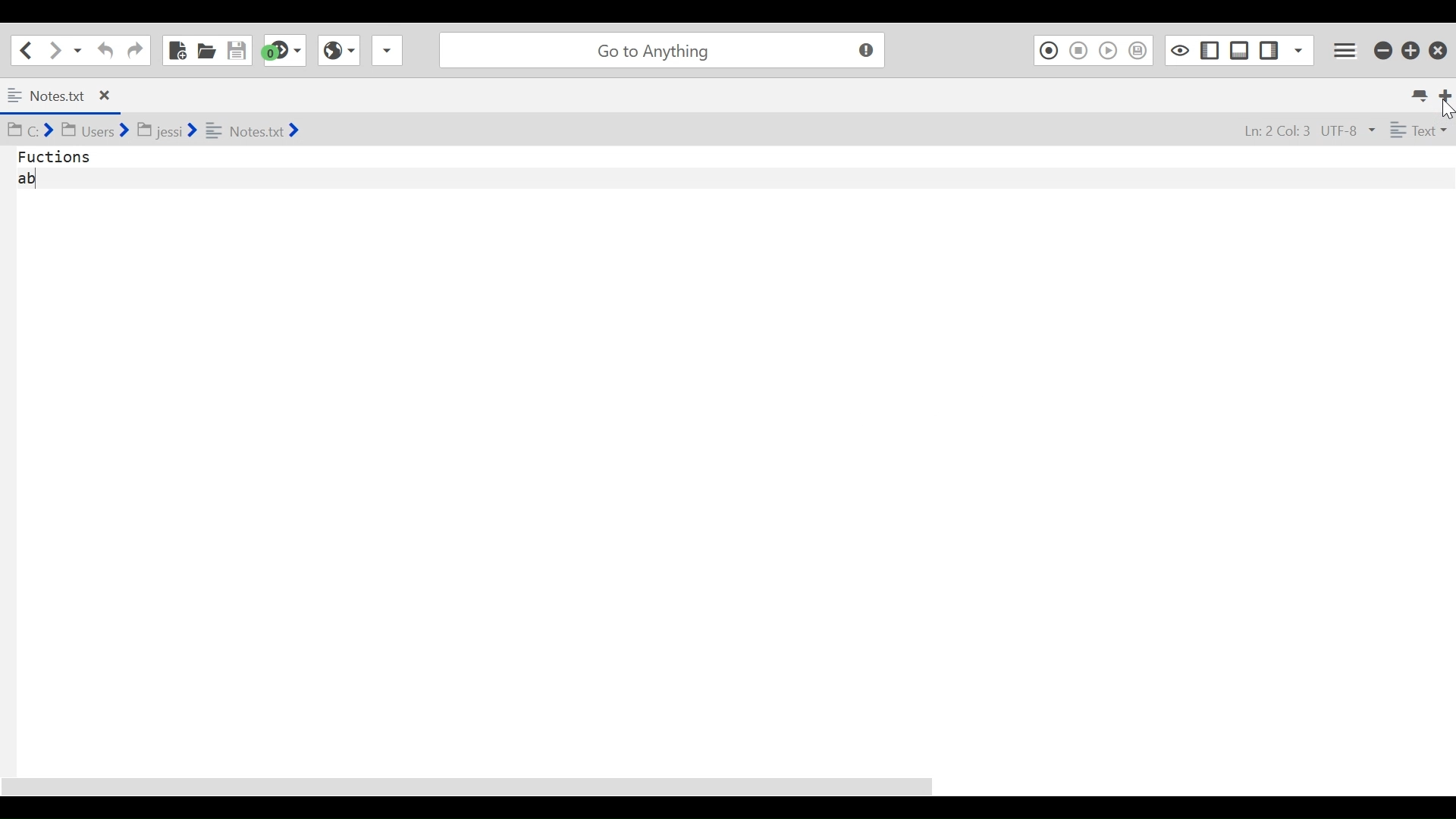 The height and width of the screenshot is (819, 1456). Describe the element at coordinates (28, 49) in the screenshot. I see `Go back one location` at that location.